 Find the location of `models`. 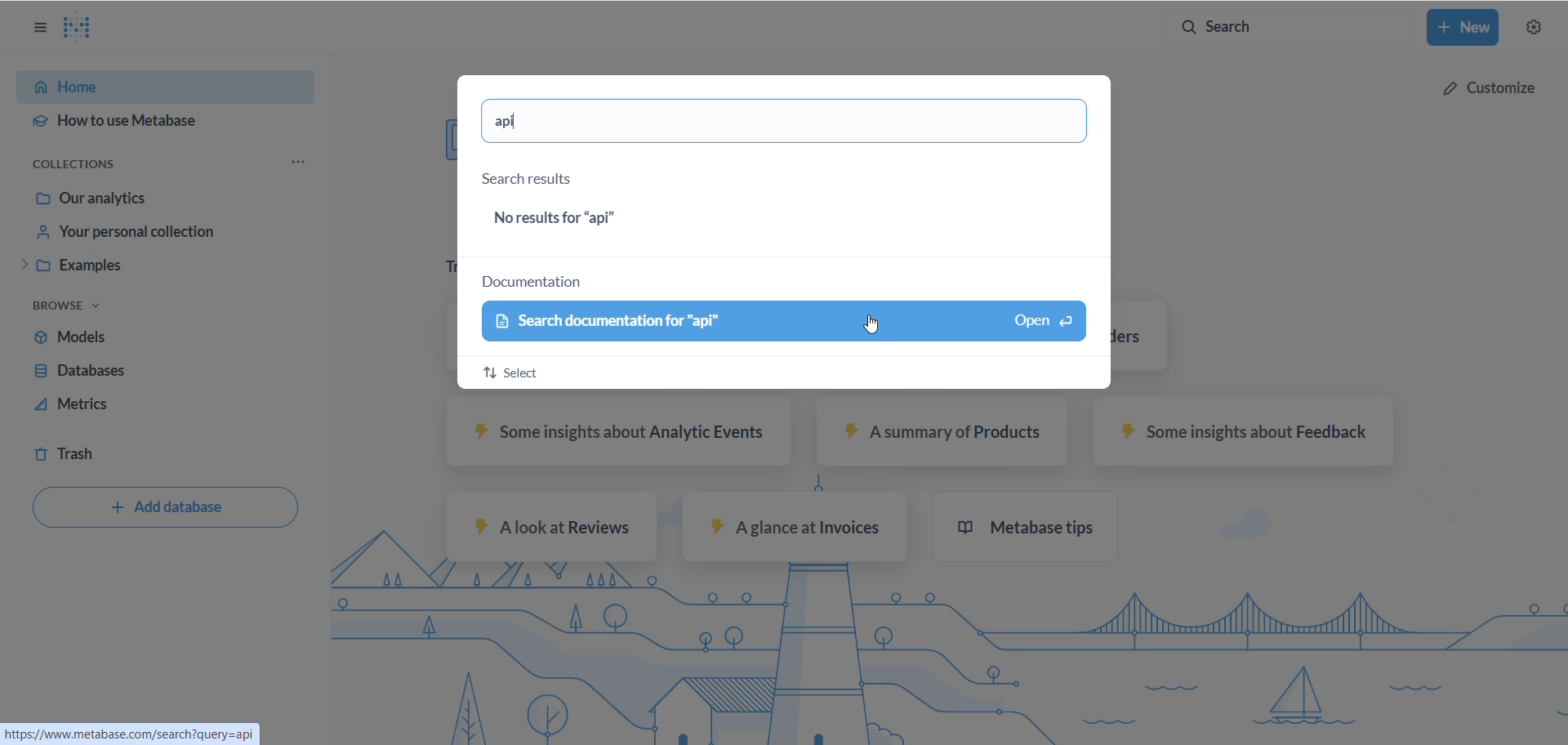

models is located at coordinates (105, 338).